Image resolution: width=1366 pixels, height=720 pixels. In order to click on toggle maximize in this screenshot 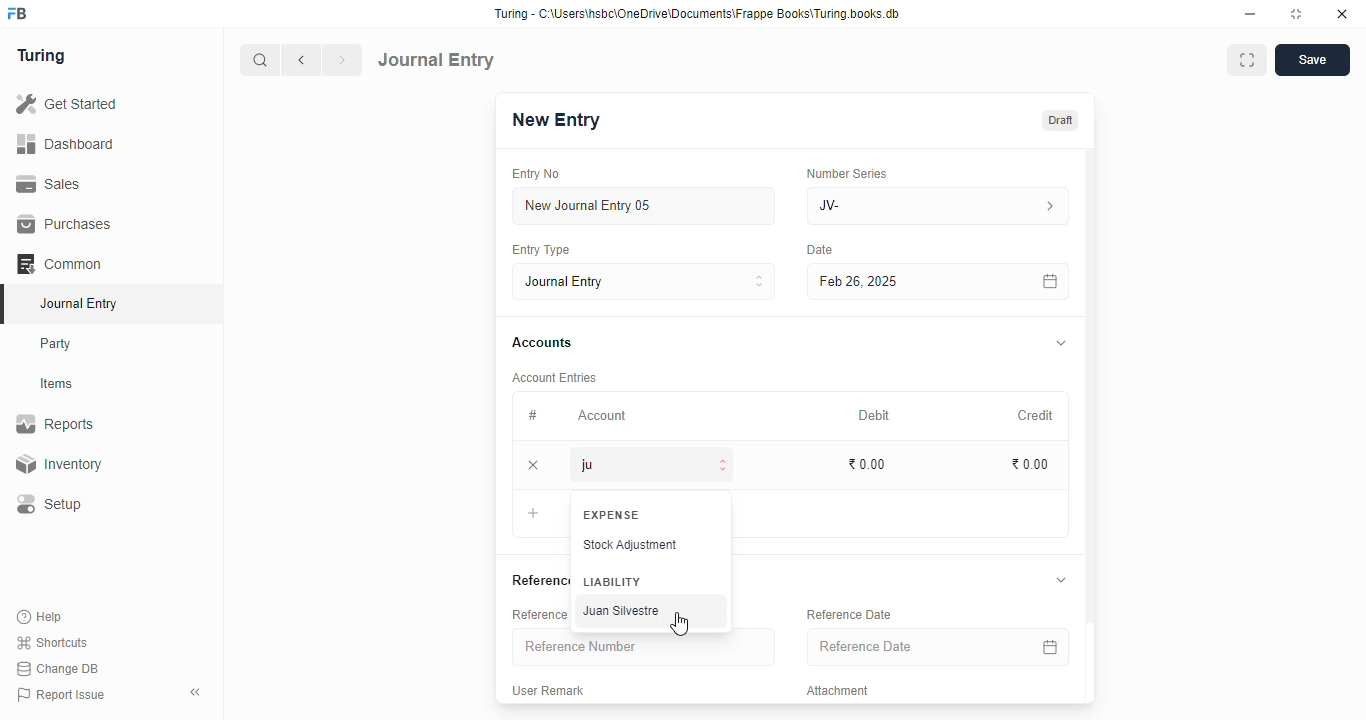, I will do `click(1296, 14)`.